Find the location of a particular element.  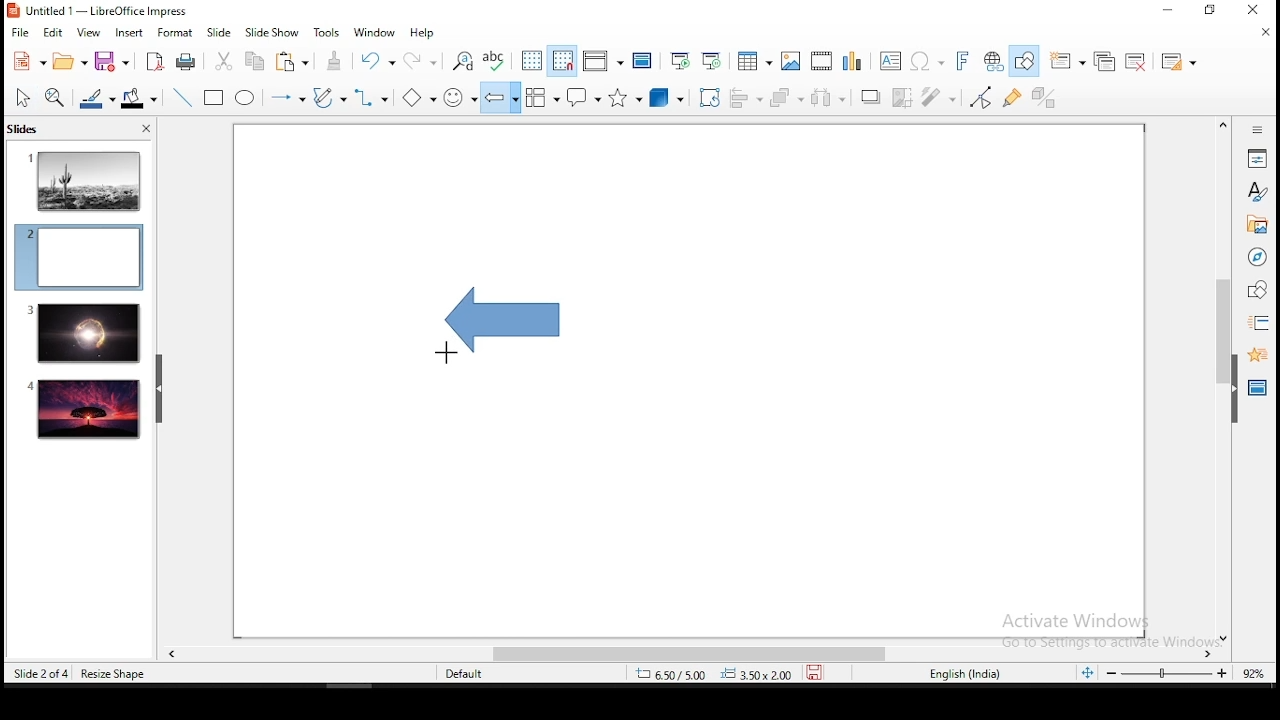

tools is located at coordinates (328, 33).